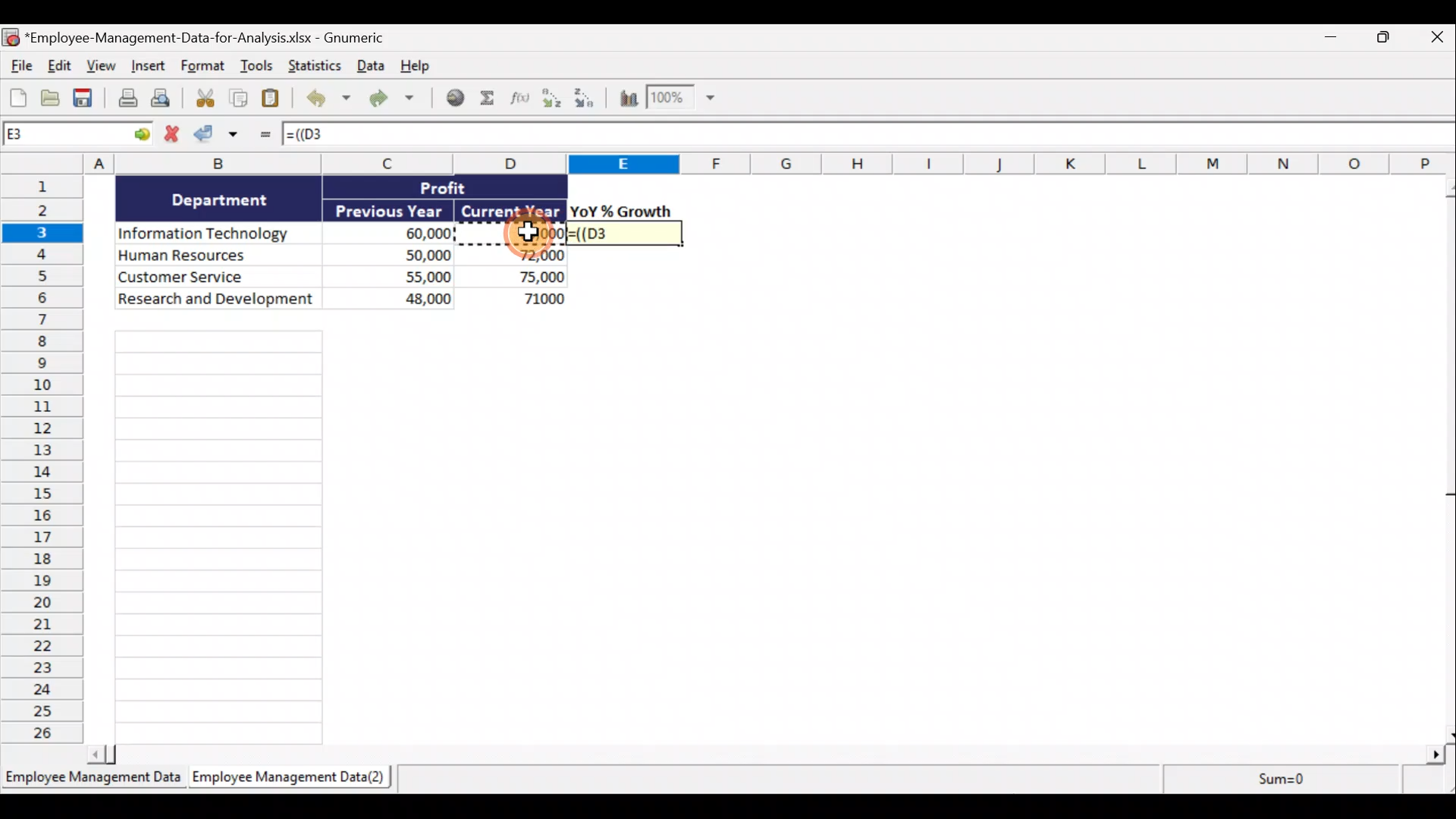  What do you see at coordinates (162, 99) in the screenshot?
I see `Print preview` at bounding box center [162, 99].